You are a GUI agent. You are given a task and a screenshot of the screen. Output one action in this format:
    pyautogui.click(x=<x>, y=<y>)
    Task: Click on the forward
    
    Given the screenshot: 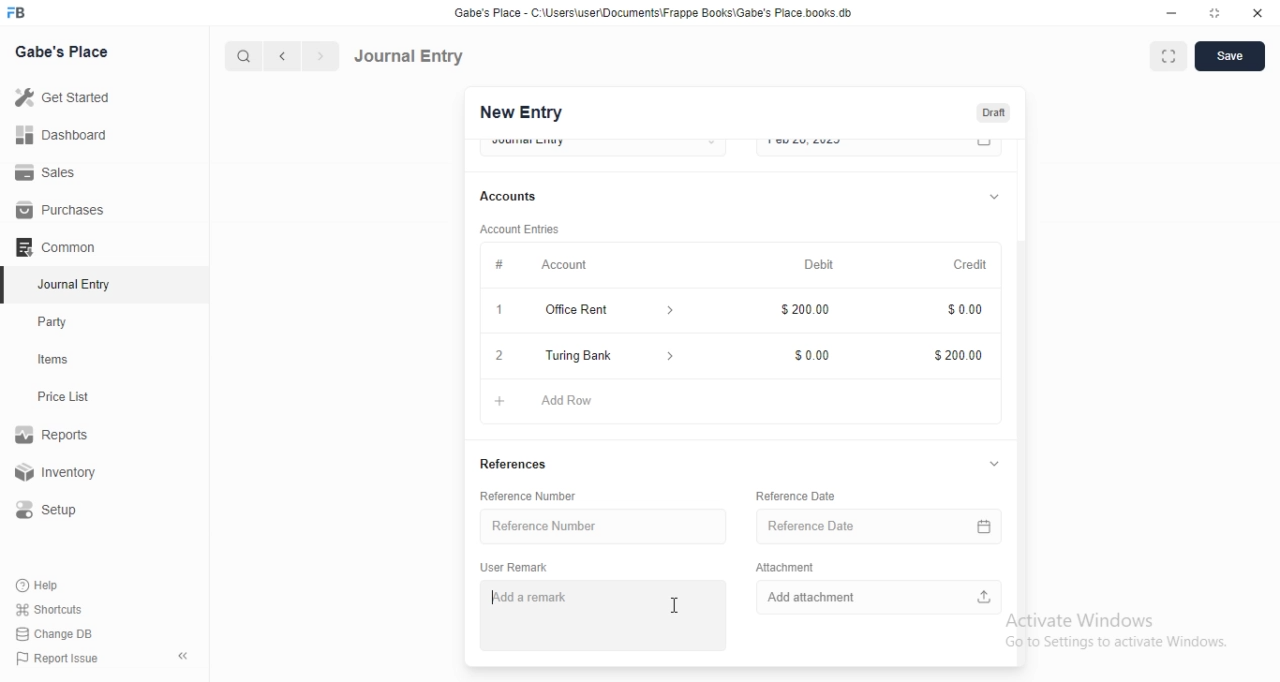 What is the action you would take?
    pyautogui.click(x=322, y=56)
    